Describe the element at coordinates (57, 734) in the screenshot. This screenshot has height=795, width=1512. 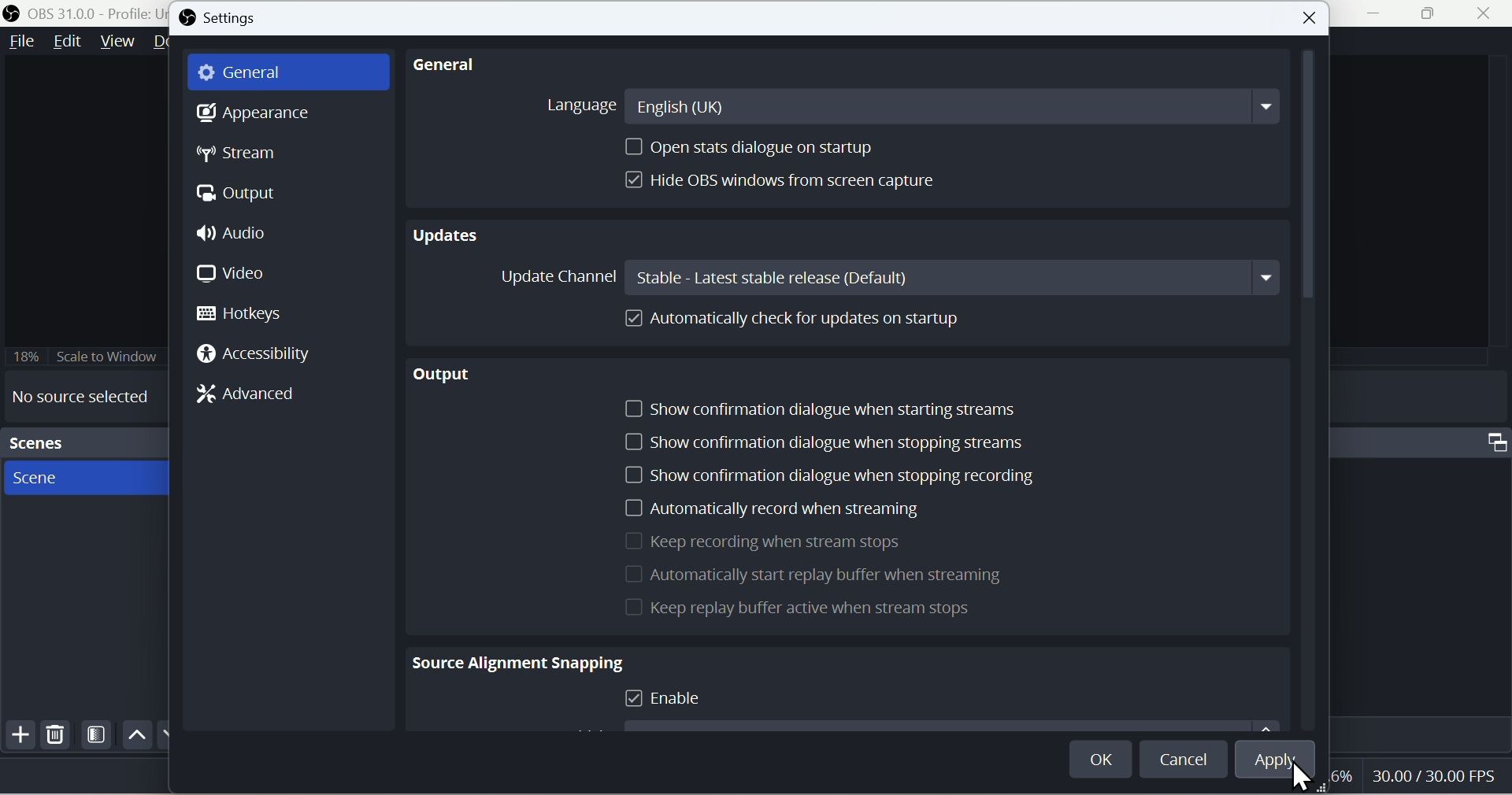
I see `Delete` at that location.